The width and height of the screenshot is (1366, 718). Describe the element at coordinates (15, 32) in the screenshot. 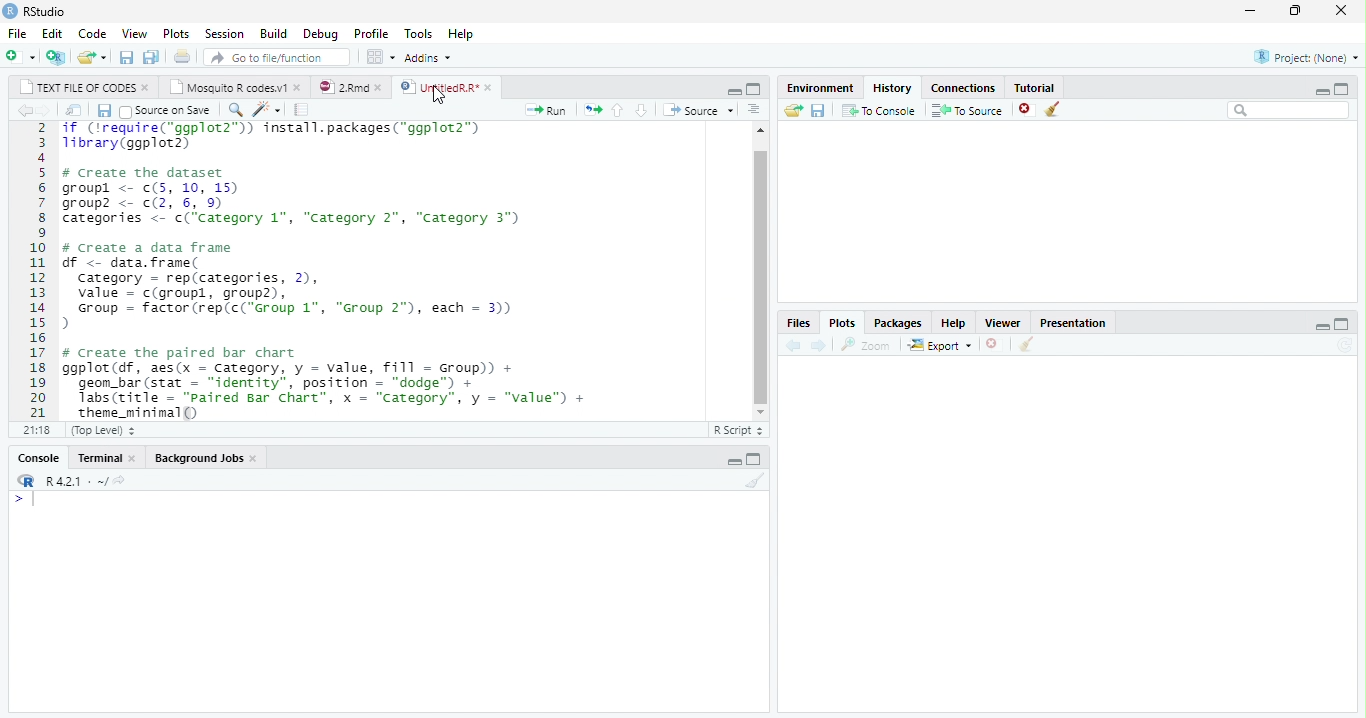

I see `file` at that location.